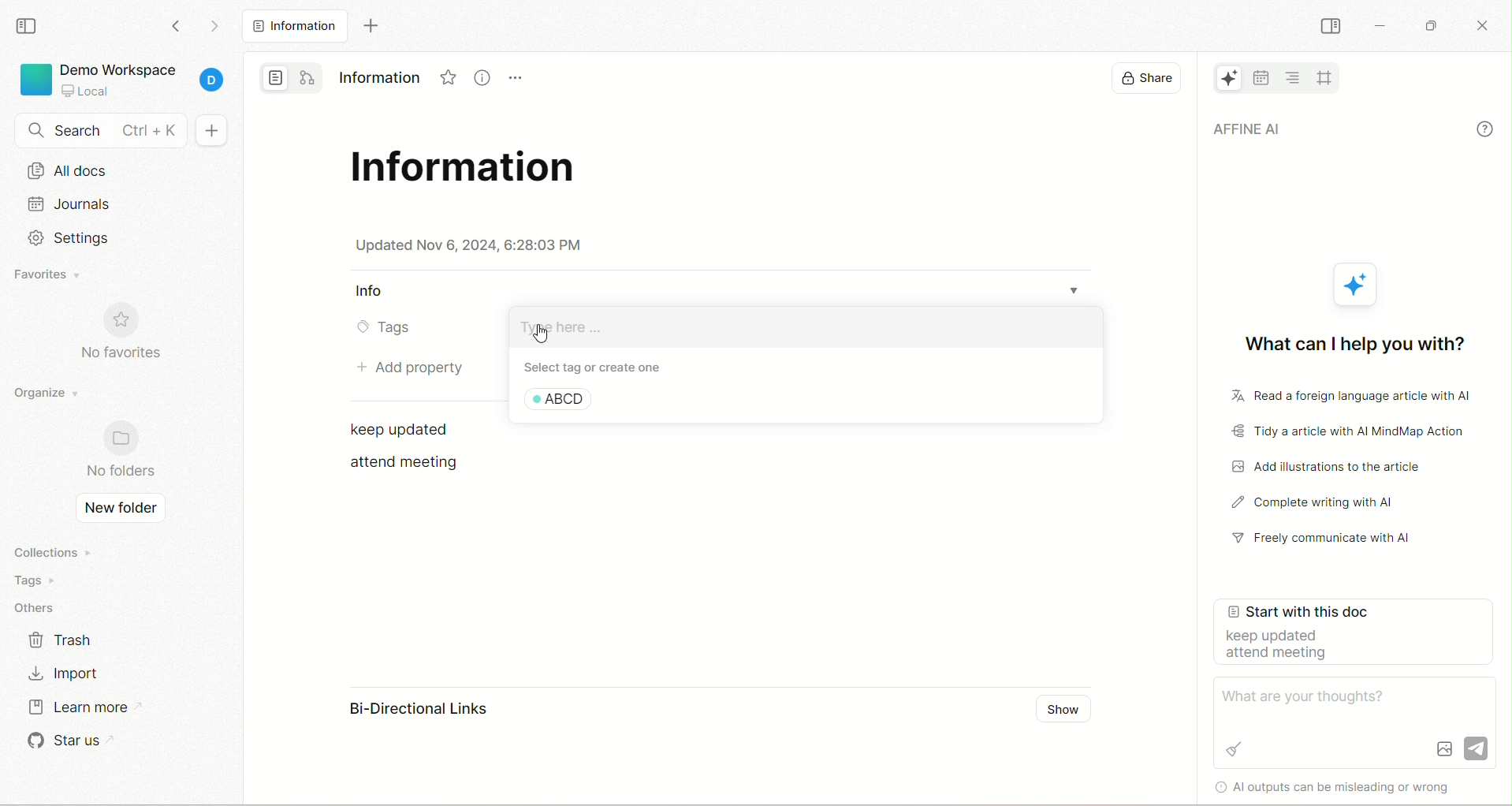  Describe the element at coordinates (1330, 25) in the screenshot. I see `collapse sidebar` at that location.